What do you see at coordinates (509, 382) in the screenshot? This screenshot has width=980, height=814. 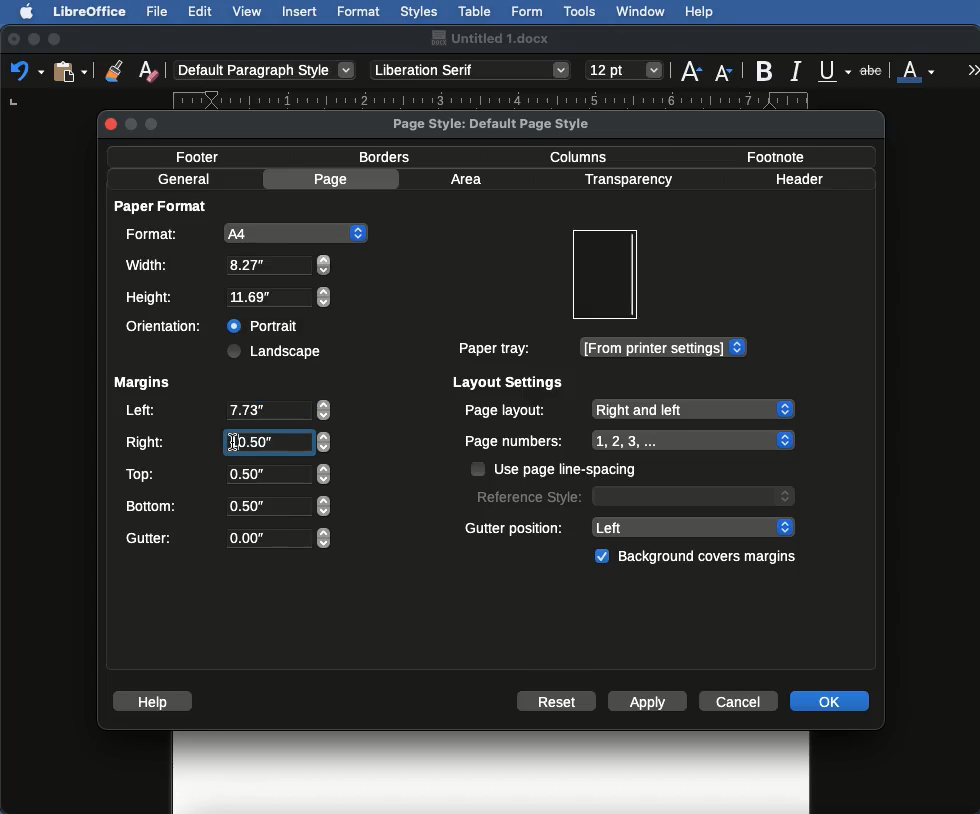 I see `Layout settings` at bounding box center [509, 382].